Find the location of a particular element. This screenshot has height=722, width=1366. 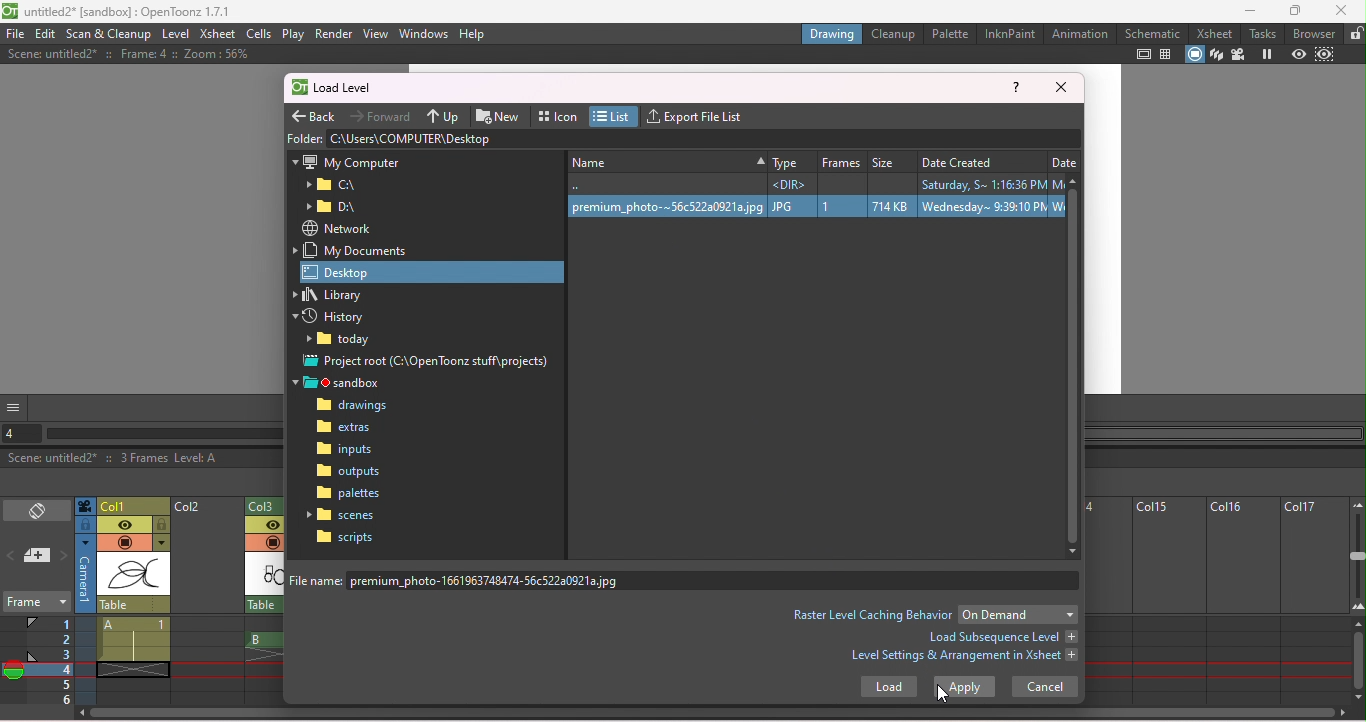

Sandbox is located at coordinates (344, 383).